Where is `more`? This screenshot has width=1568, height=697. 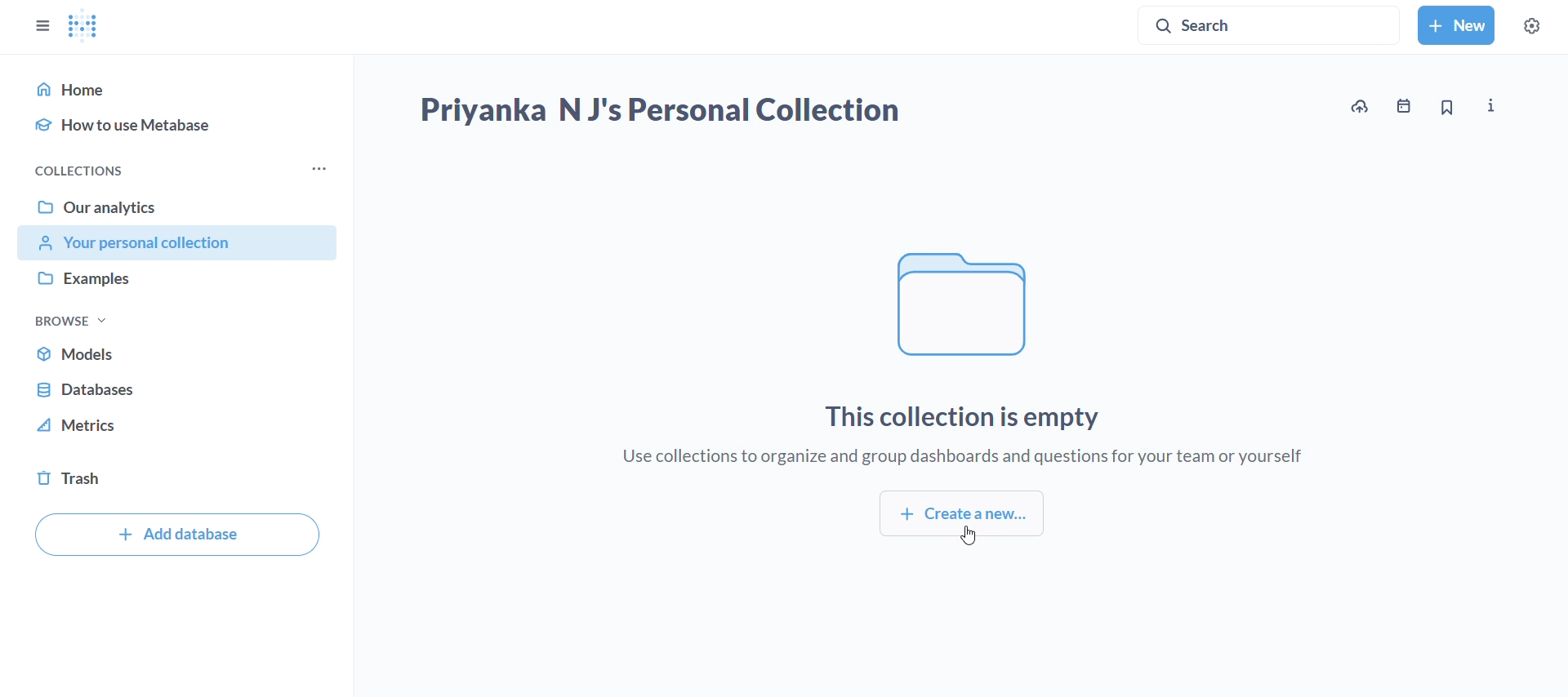 more is located at coordinates (319, 169).